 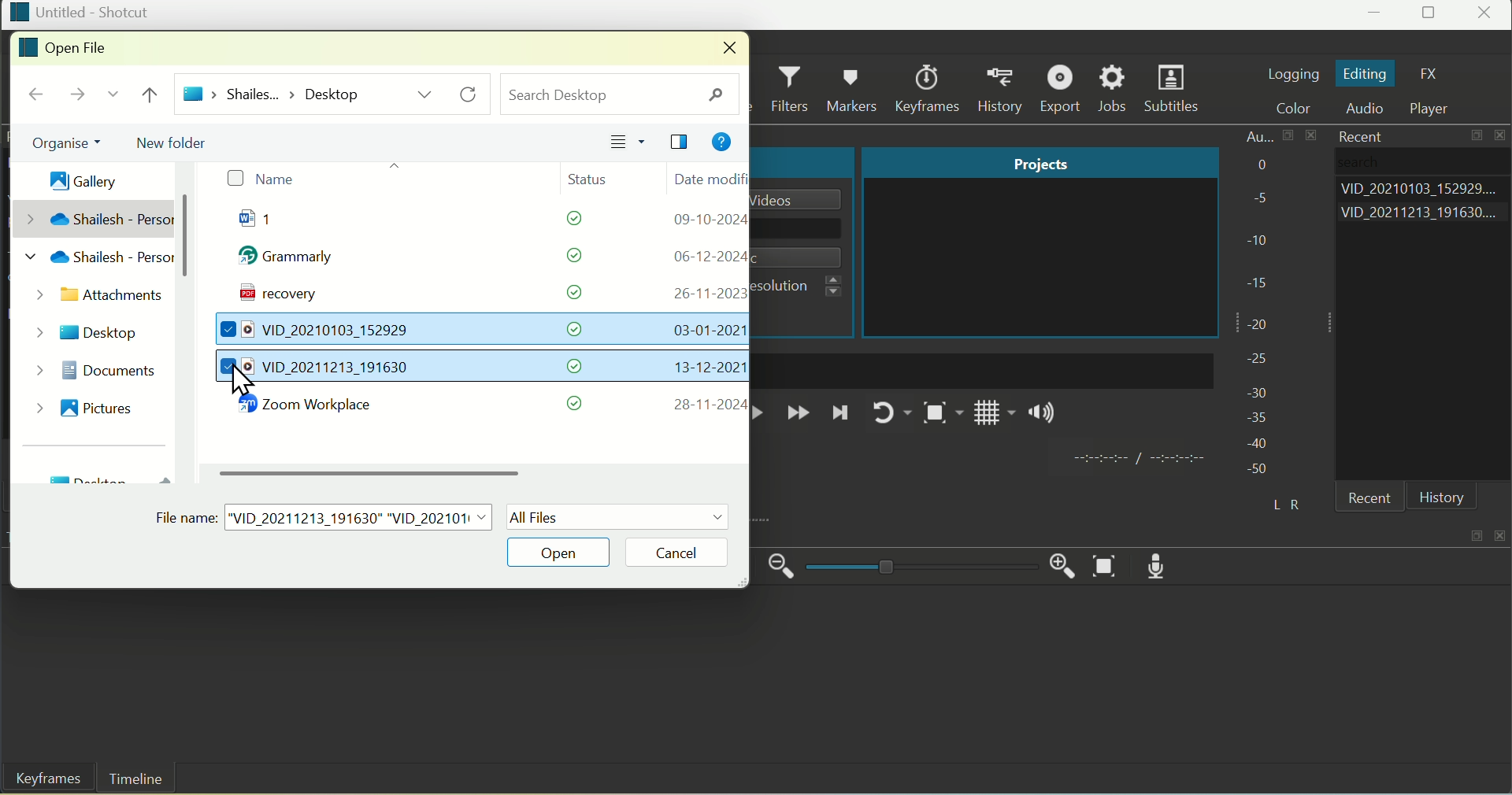 I want to click on search, so click(x=621, y=93).